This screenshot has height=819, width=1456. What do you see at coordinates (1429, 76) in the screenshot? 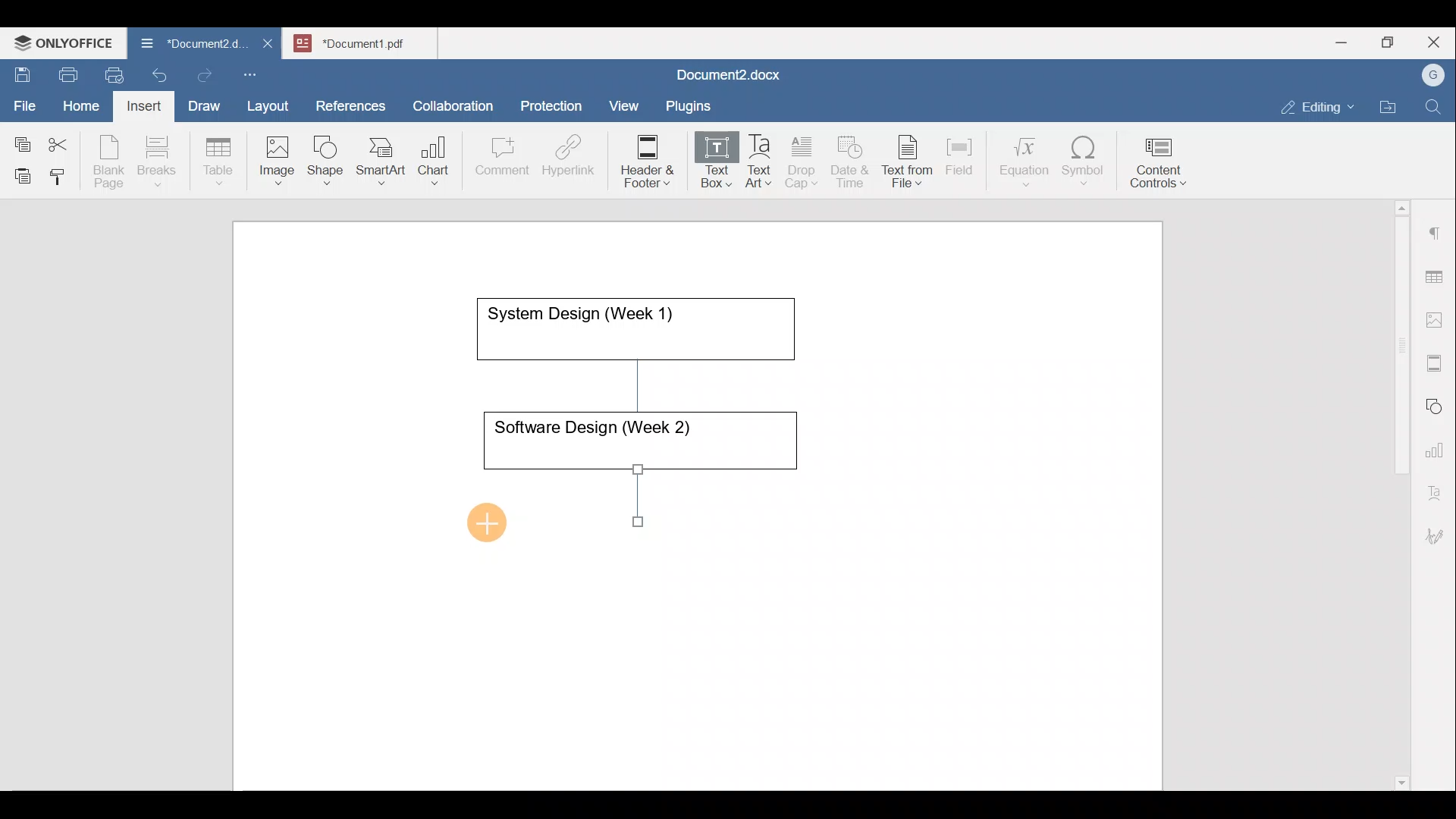
I see `Account name` at bounding box center [1429, 76].